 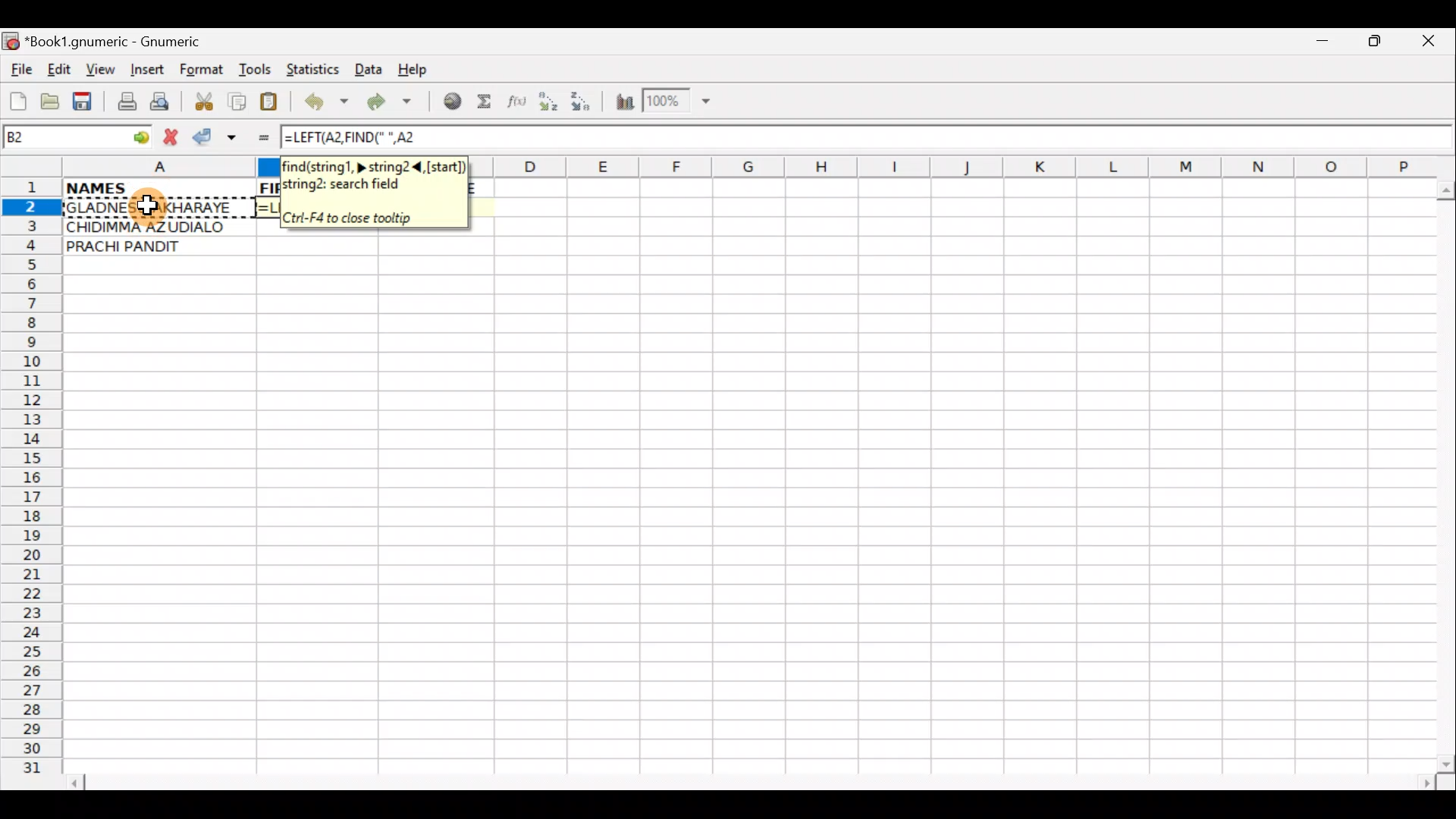 I want to click on NAMES, so click(x=158, y=190).